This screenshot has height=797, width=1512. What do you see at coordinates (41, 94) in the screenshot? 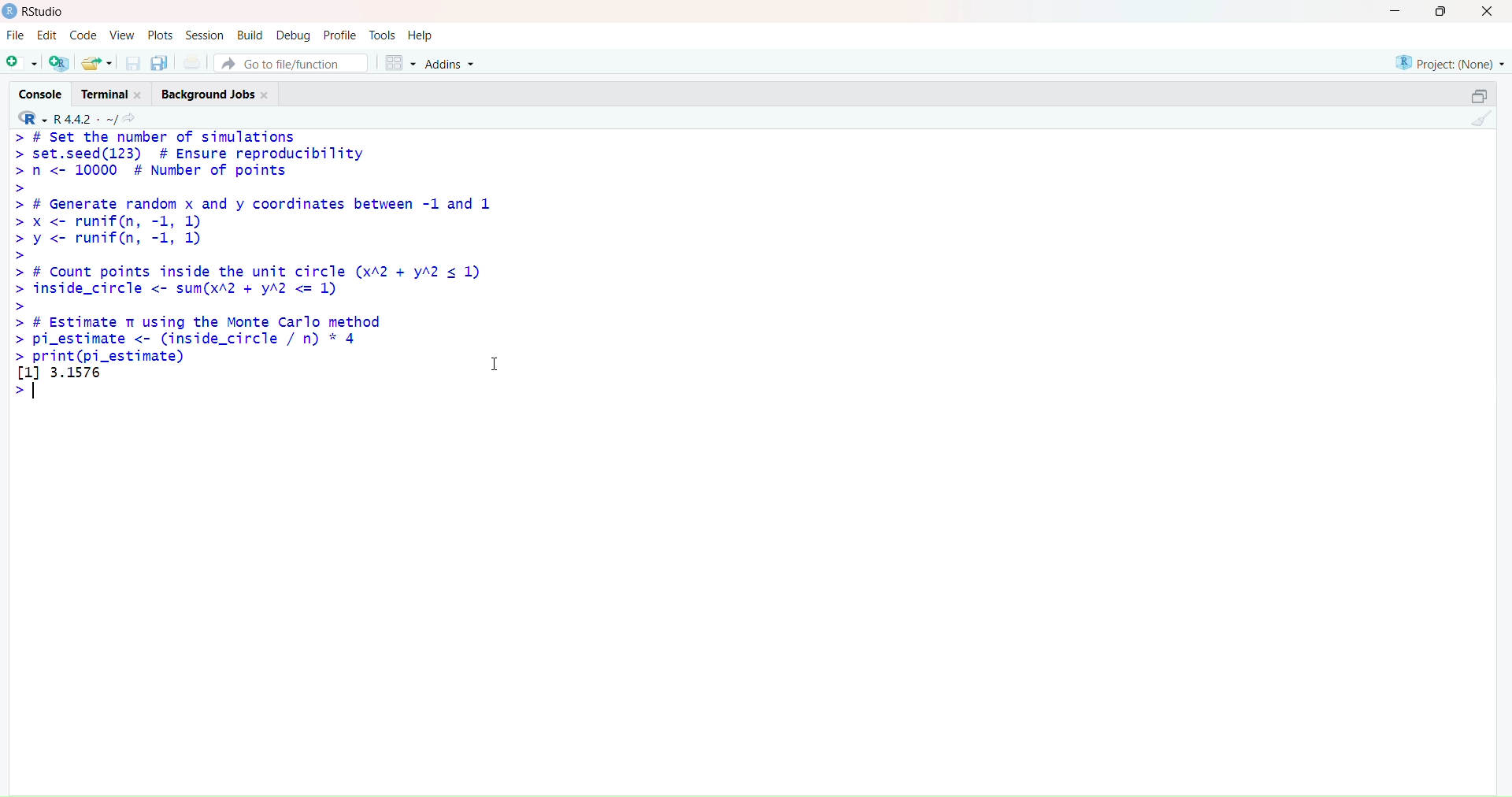
I see `Console` at bounding box center [41, 94].